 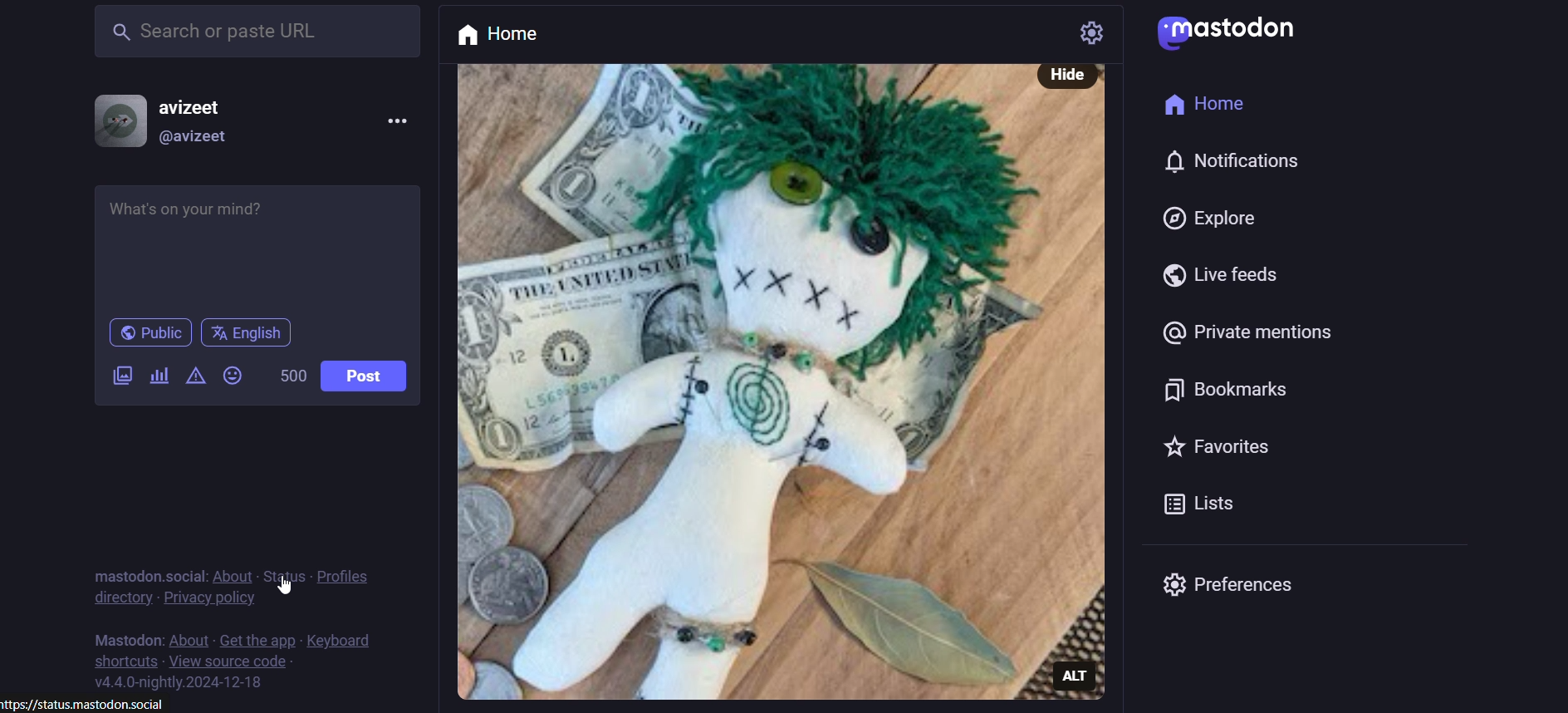 I want to click on post with picture, so click(x=739, y=382).